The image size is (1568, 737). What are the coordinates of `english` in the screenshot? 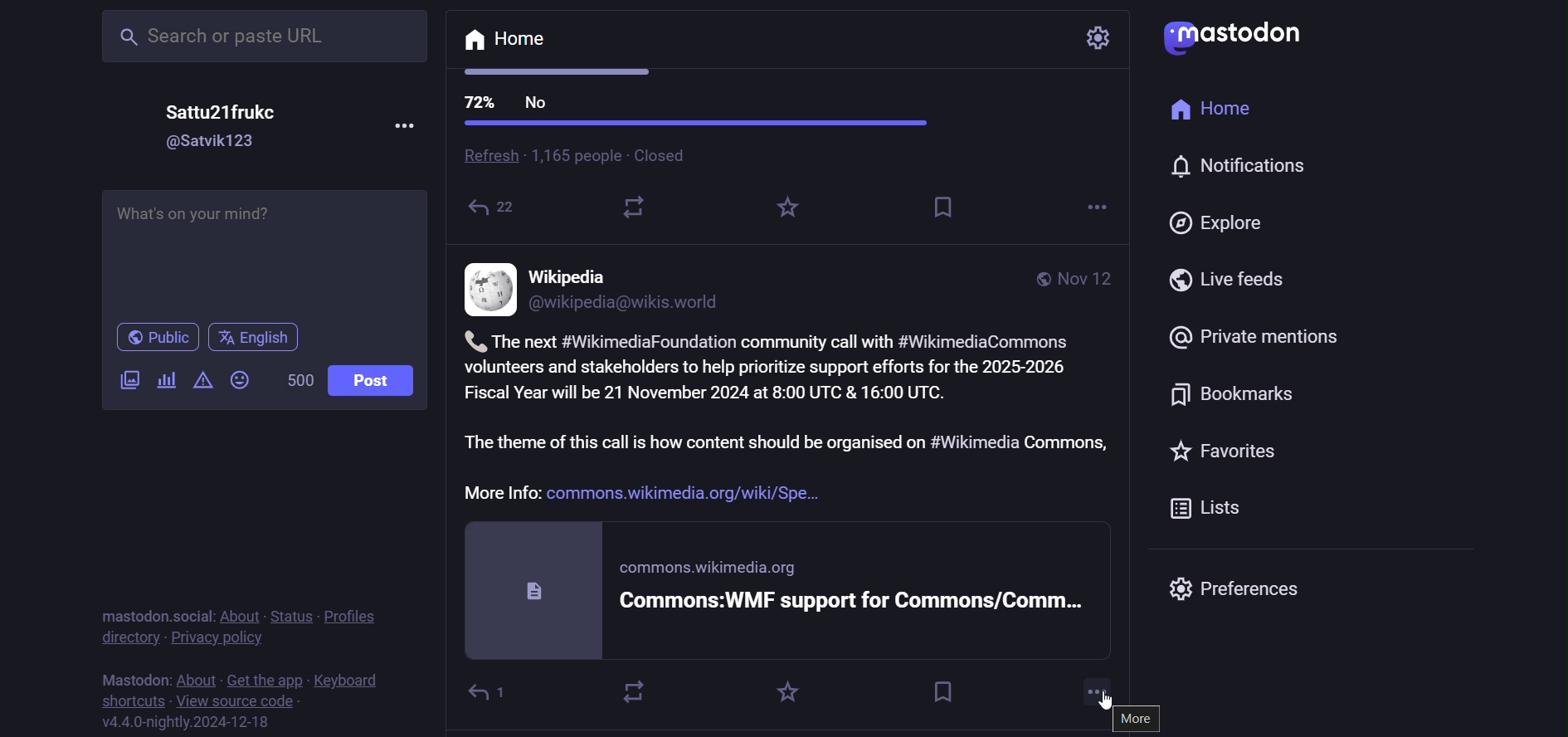 It's located at (254, 337).